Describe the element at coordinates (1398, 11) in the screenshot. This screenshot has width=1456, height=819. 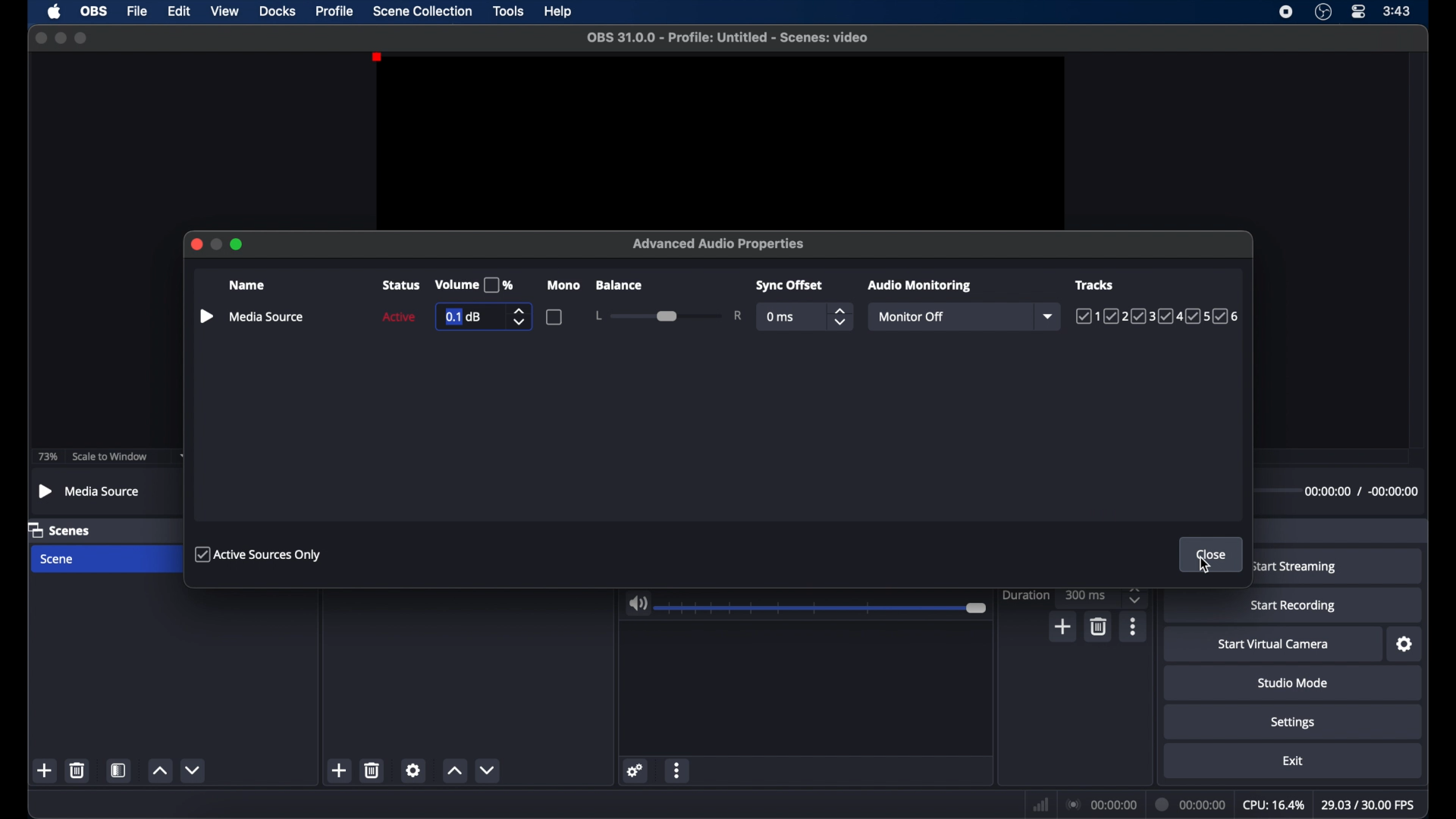
I see `3:43` at that location.